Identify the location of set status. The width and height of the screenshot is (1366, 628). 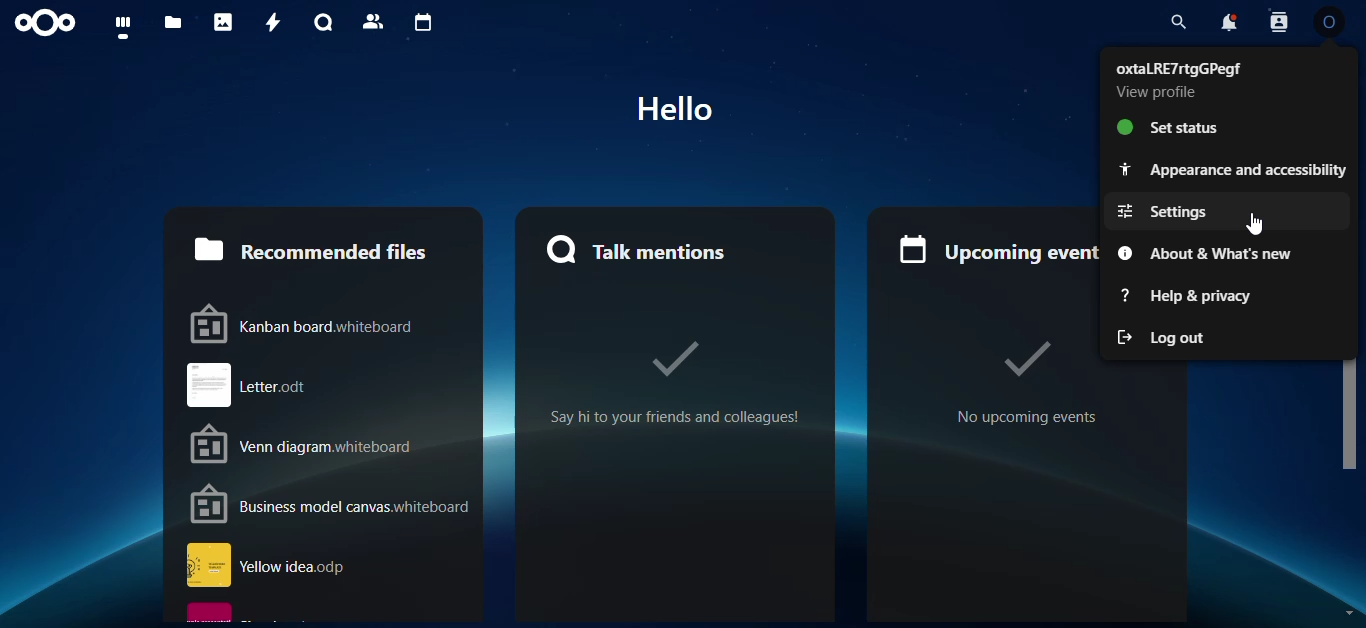
(1229, 126).